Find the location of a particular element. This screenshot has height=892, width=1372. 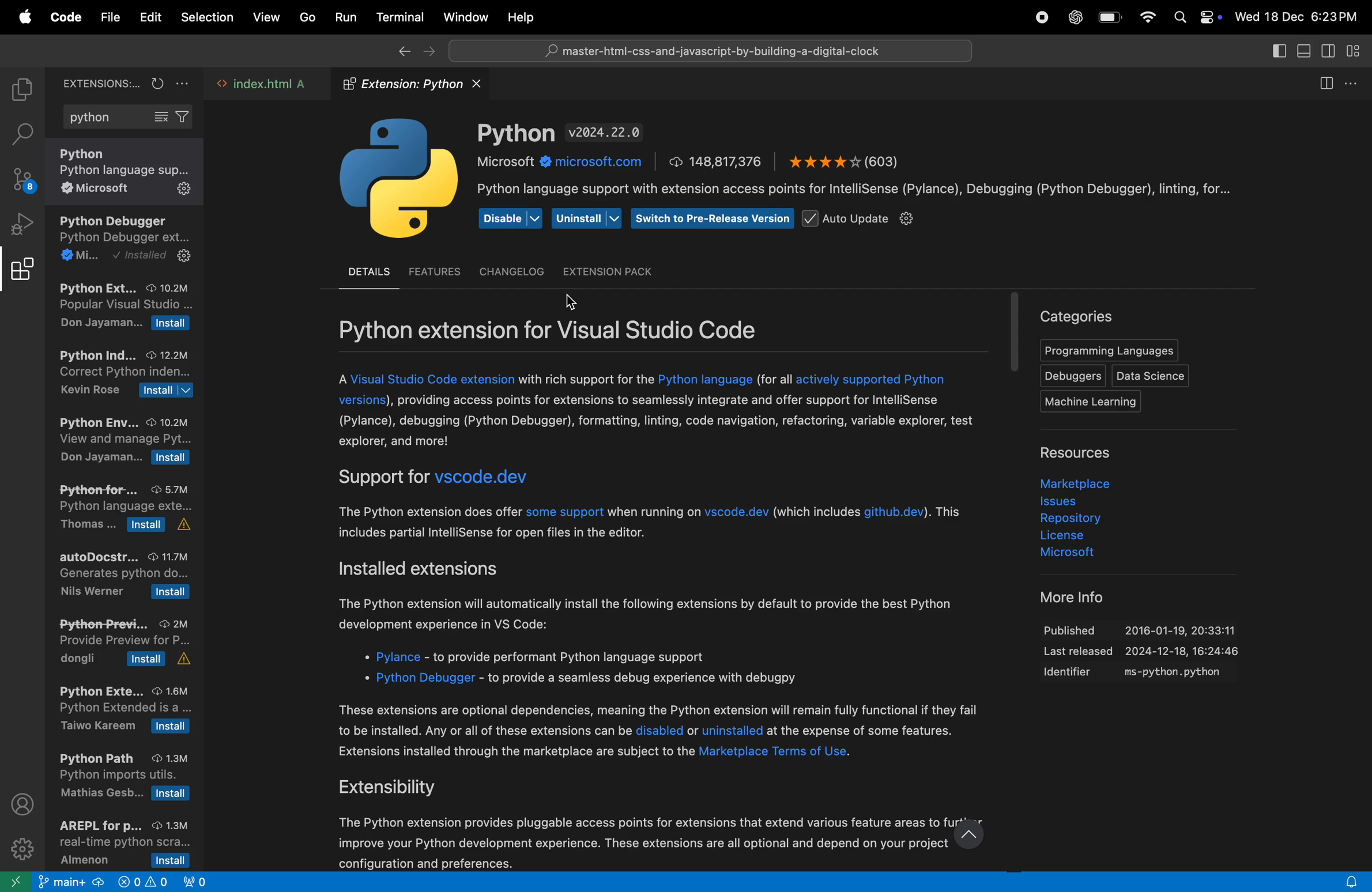

Debuggers is located at coordinates (1071, 376).